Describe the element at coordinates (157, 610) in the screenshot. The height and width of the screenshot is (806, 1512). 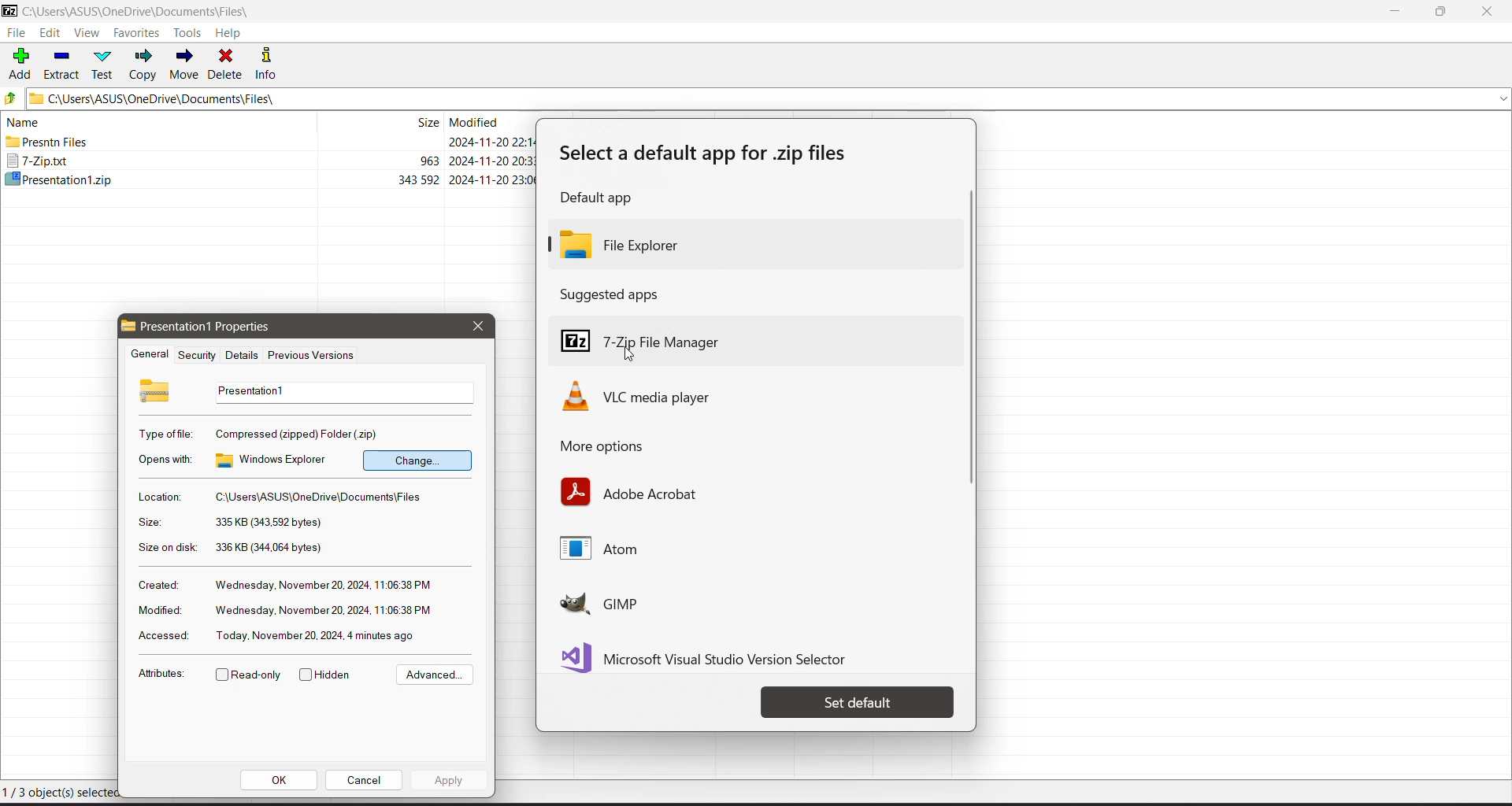
I see `Modified` at that location.